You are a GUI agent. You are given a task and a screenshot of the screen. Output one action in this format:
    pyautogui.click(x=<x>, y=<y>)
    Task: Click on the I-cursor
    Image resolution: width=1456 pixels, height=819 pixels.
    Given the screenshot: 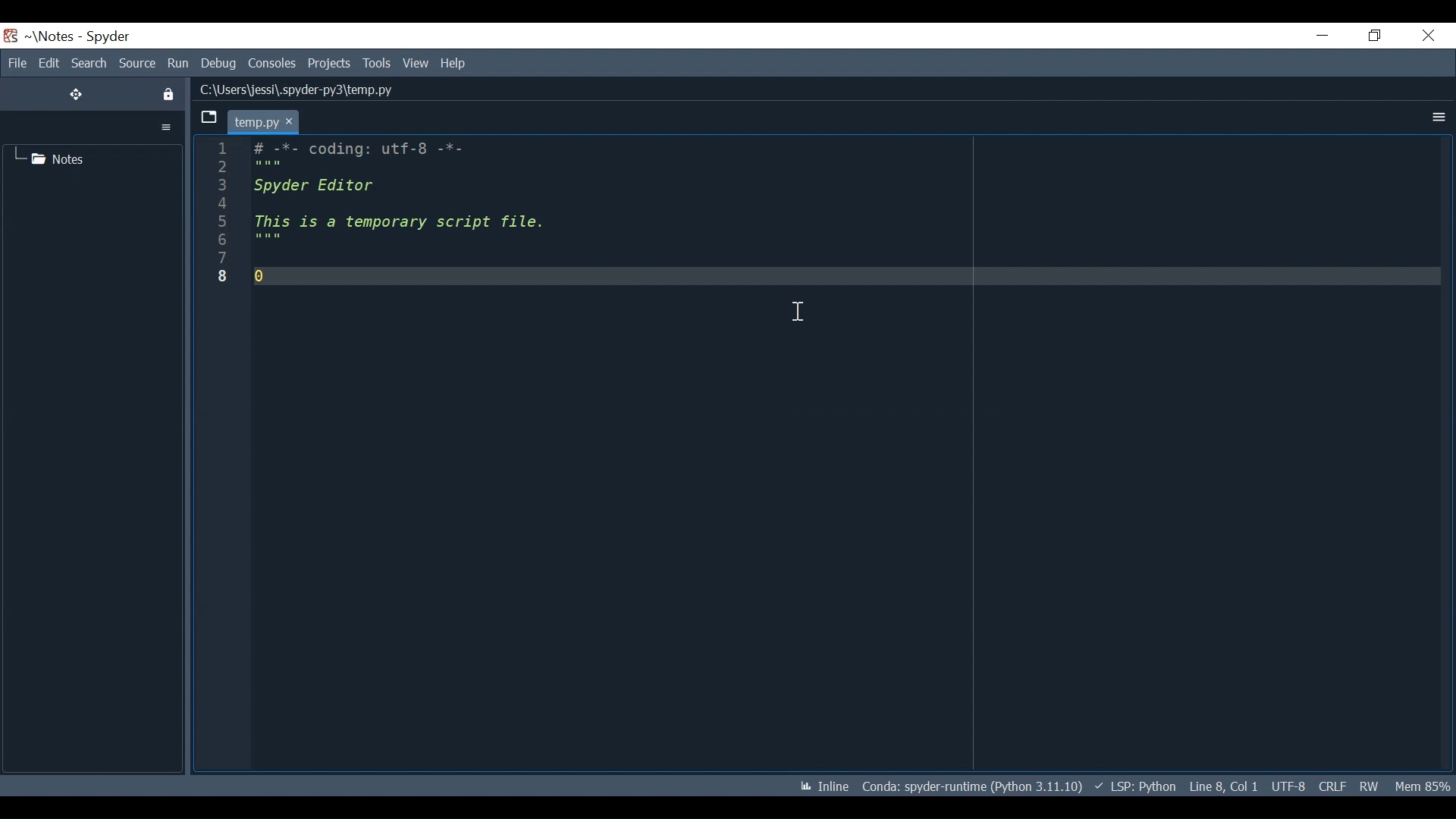 What is the action you would take?
    pyautogui.click(x=798, y=312)
    